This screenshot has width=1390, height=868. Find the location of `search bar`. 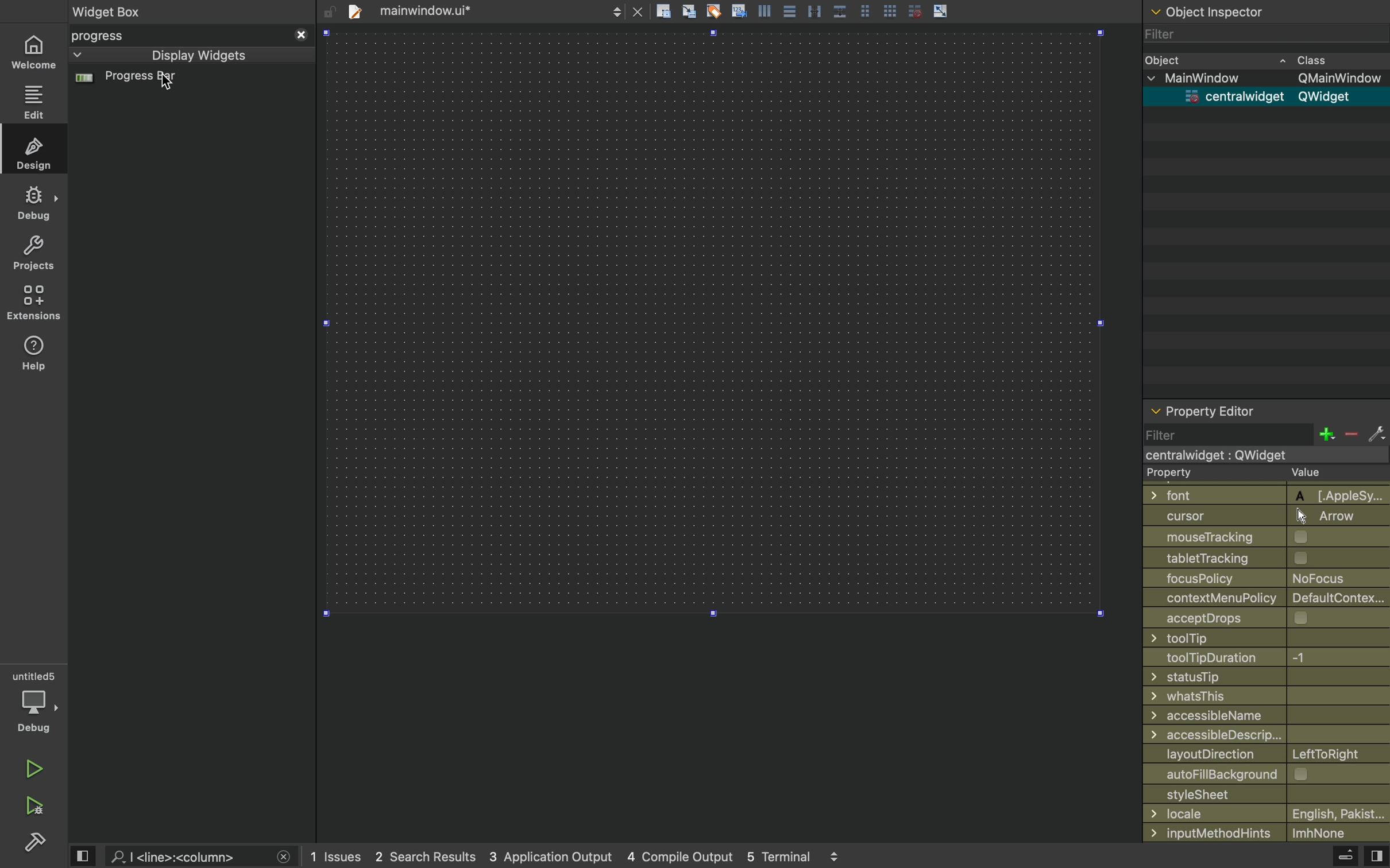

search bar is located at coordinates (199, 857).